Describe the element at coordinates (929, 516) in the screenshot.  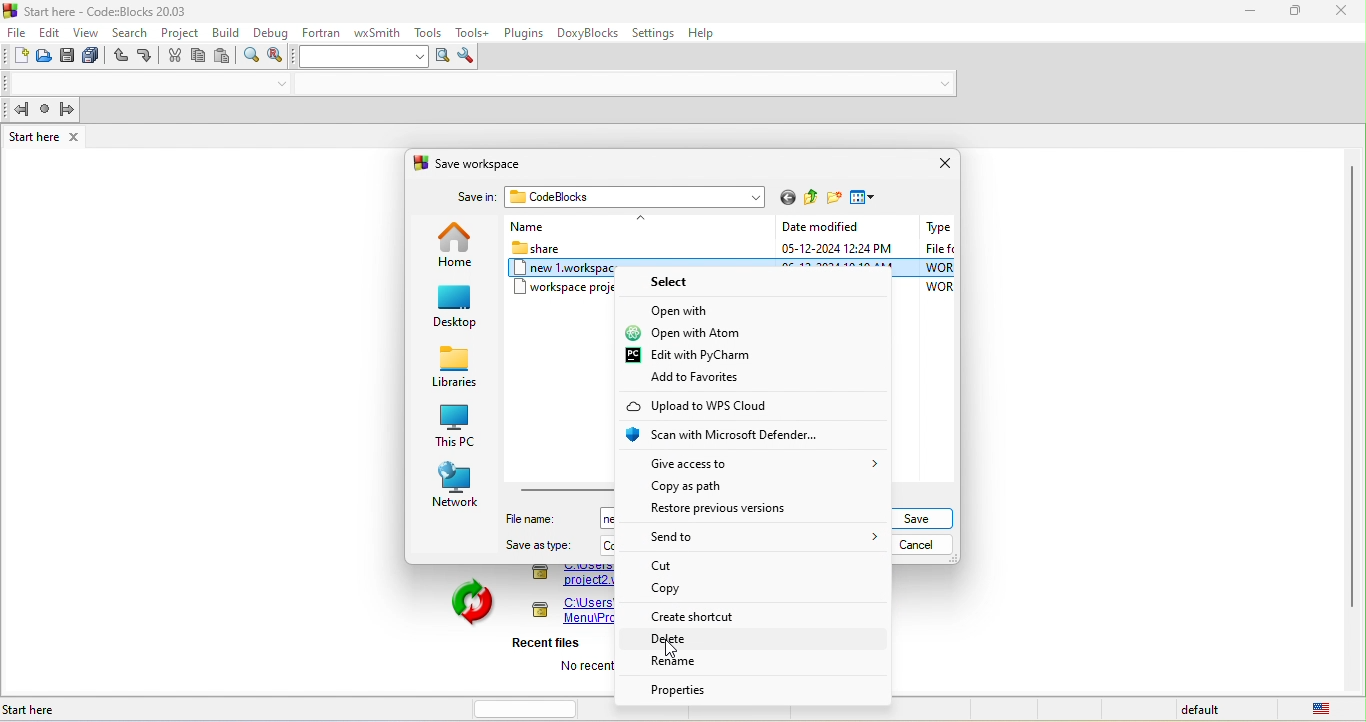
I see `save` at that location.